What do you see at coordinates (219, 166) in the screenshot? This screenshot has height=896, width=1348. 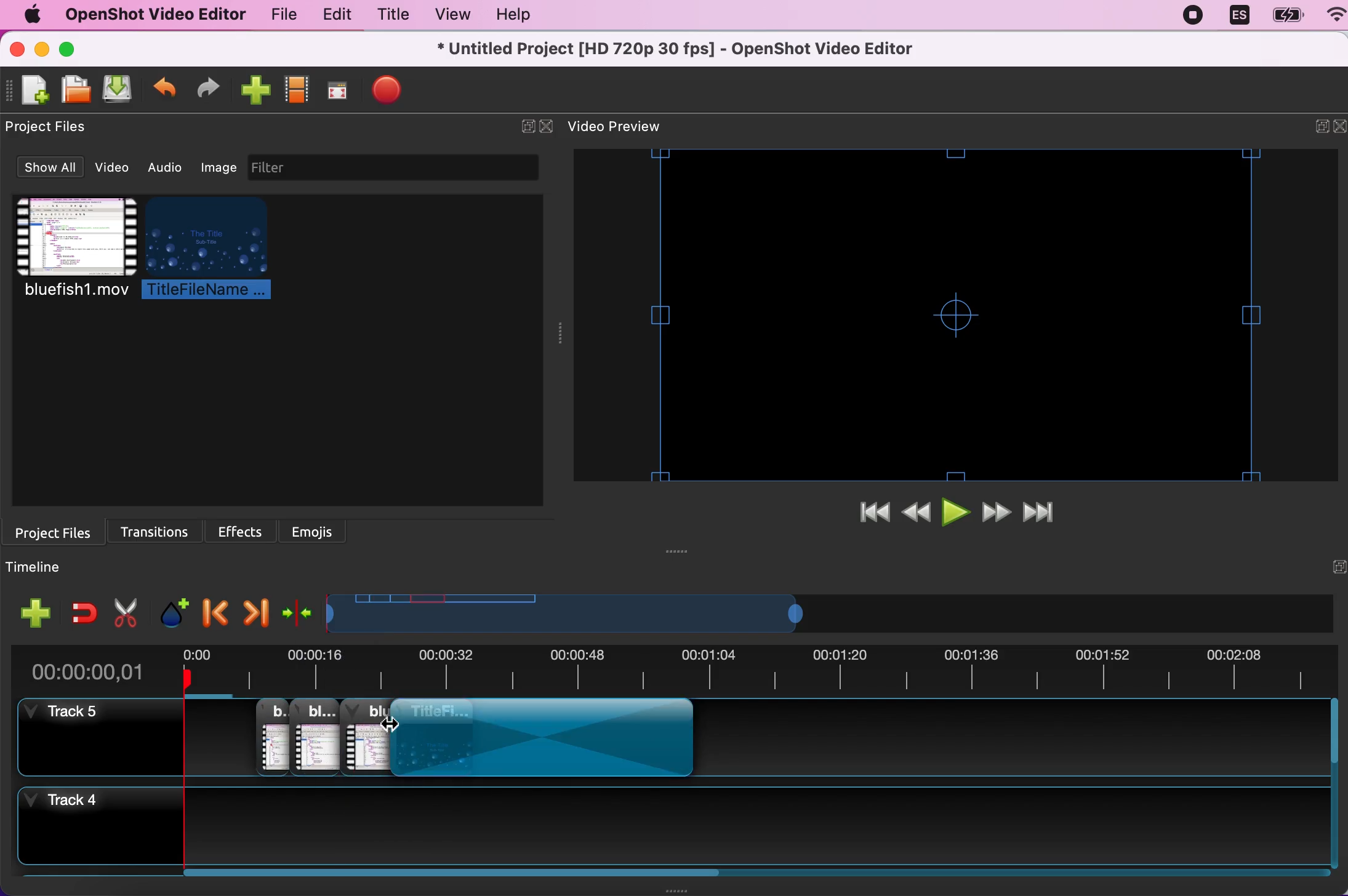 I see `image` at bounding box center [219, 166].